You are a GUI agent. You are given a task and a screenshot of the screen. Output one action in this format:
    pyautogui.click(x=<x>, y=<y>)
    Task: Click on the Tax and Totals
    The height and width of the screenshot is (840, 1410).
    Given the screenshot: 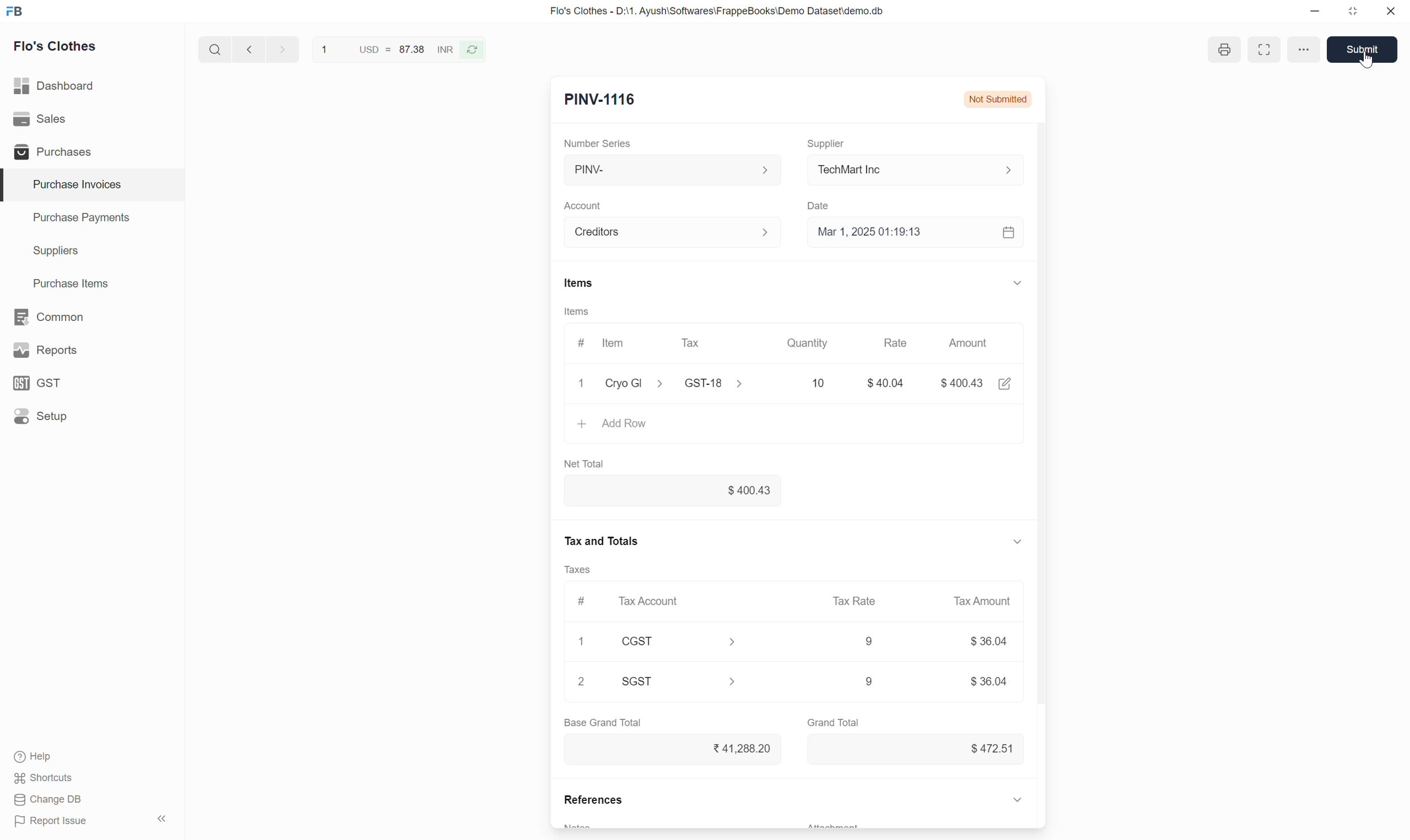 What is the action you would take?
    pyautogui.click(x=603, y=539)
    